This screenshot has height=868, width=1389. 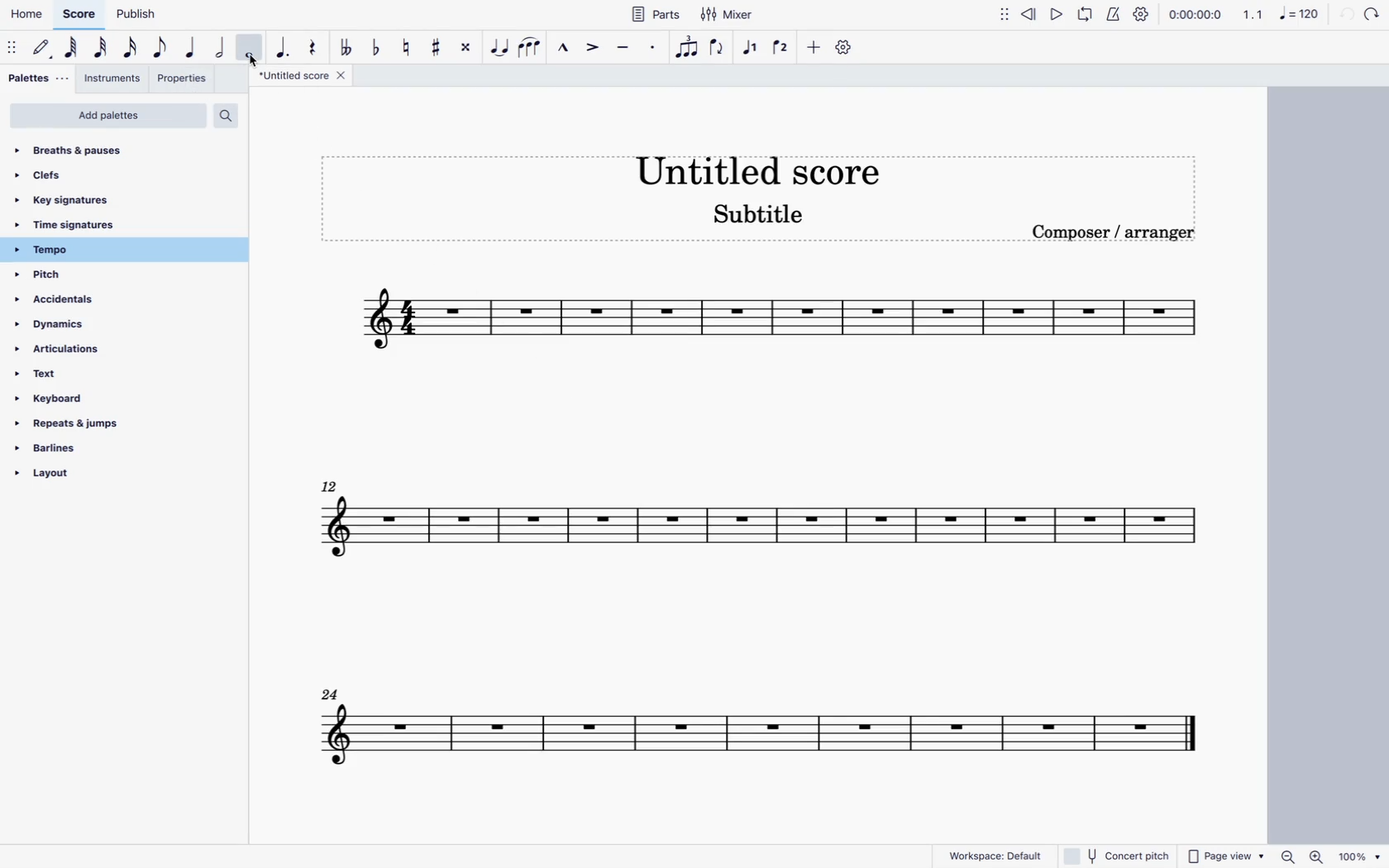 What do you see at coordinates (435, 47) in the screenshot?
I see `toggle sharp` at bounding box center [435, 47].